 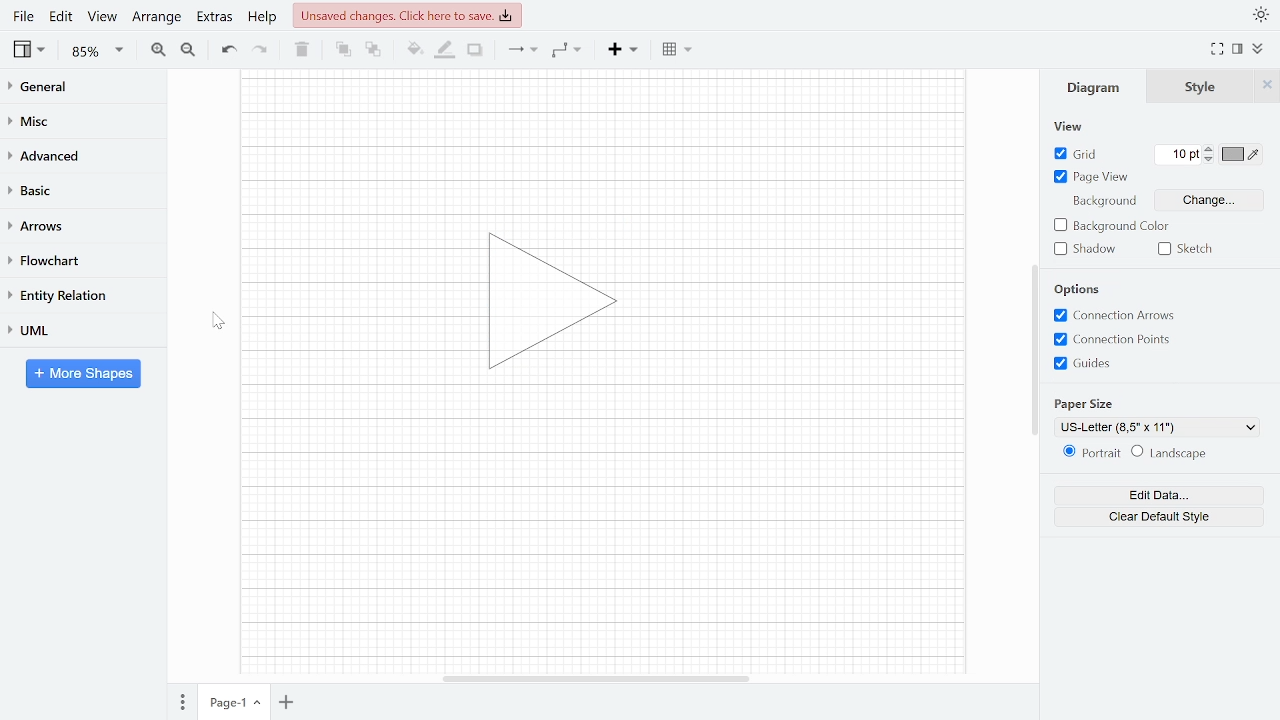 What do you see at coordinates (74, 225) in the screenshot?
I see `Arrows` at bounding box center [74, 225].